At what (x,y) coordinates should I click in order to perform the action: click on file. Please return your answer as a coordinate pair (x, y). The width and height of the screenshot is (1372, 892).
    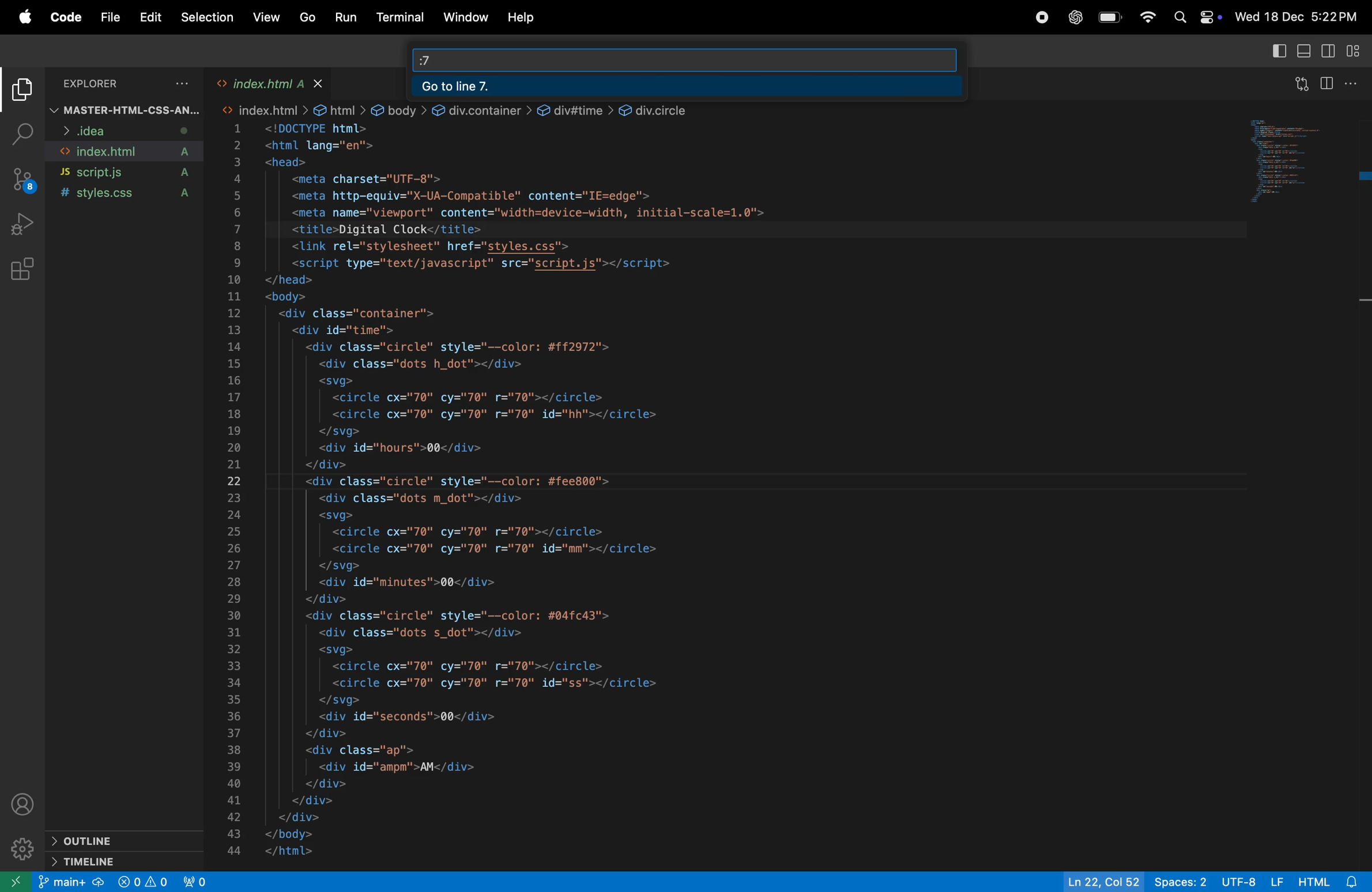
    Looking at the image, I should click on (112, 18).